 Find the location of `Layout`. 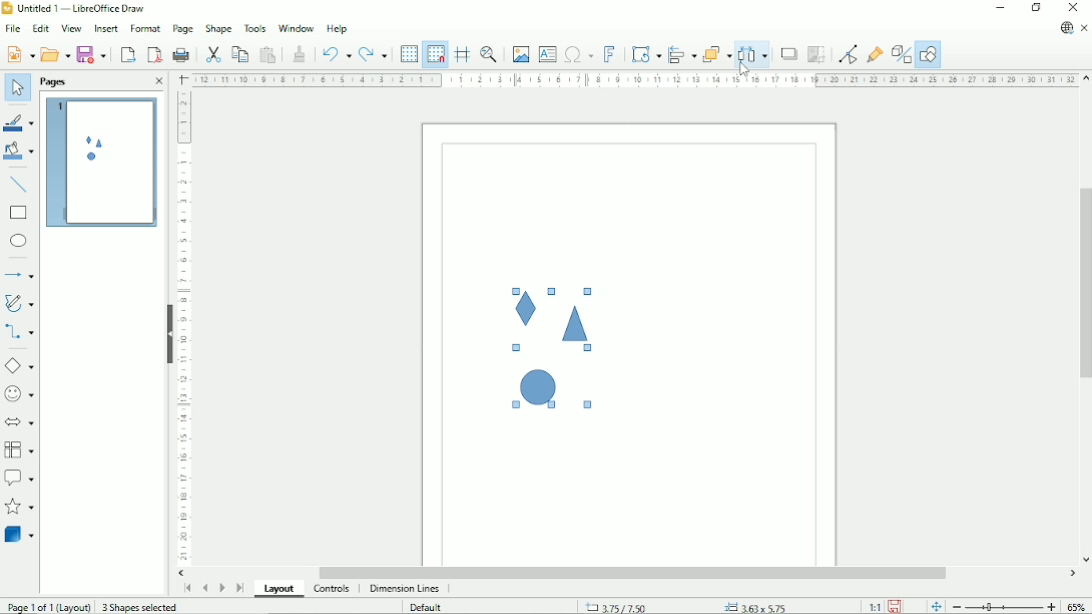

Layout is located at coordinates (279, 590).